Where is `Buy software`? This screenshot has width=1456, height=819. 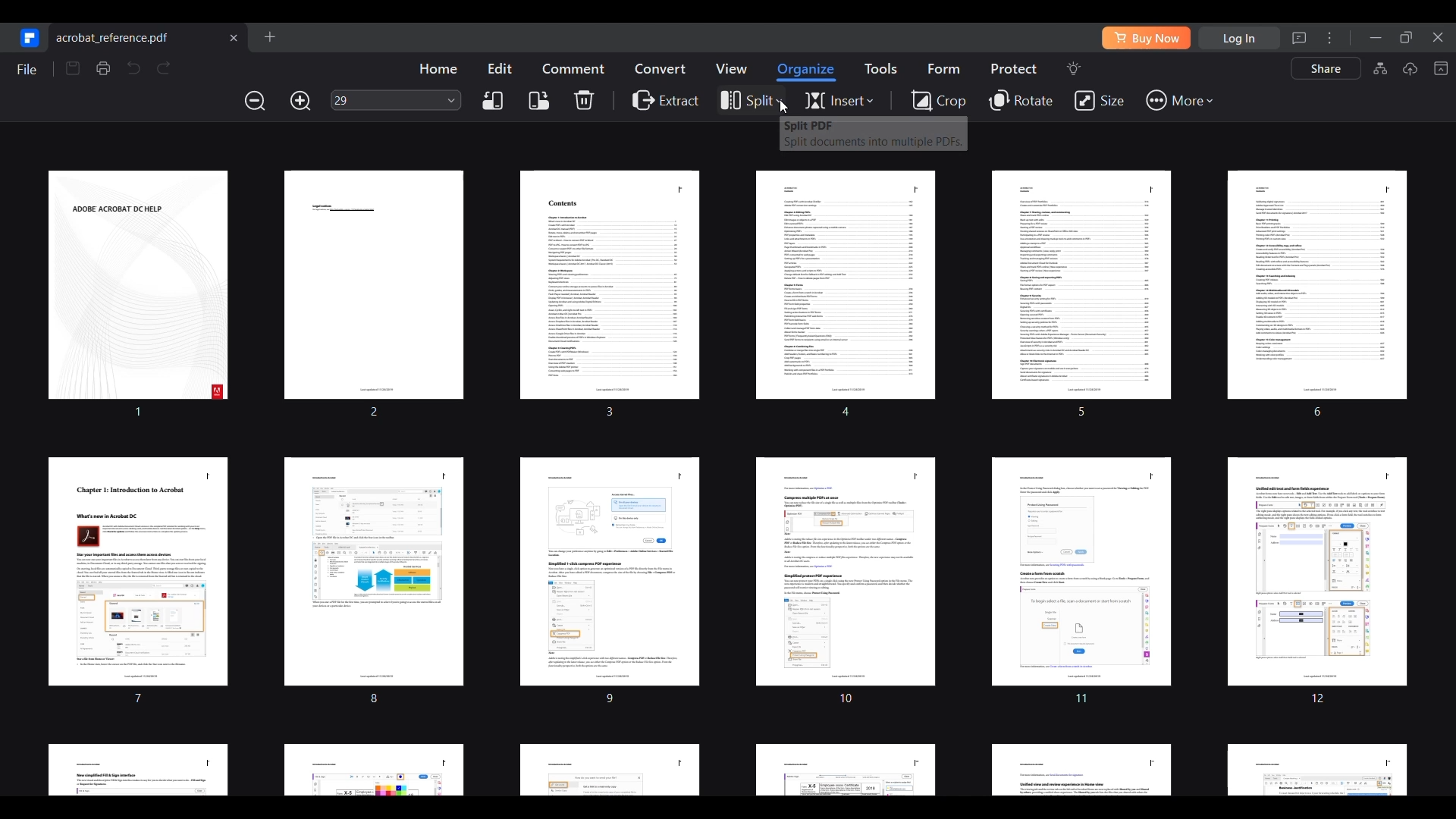
Buy software is located at coordinates (1146, 38).